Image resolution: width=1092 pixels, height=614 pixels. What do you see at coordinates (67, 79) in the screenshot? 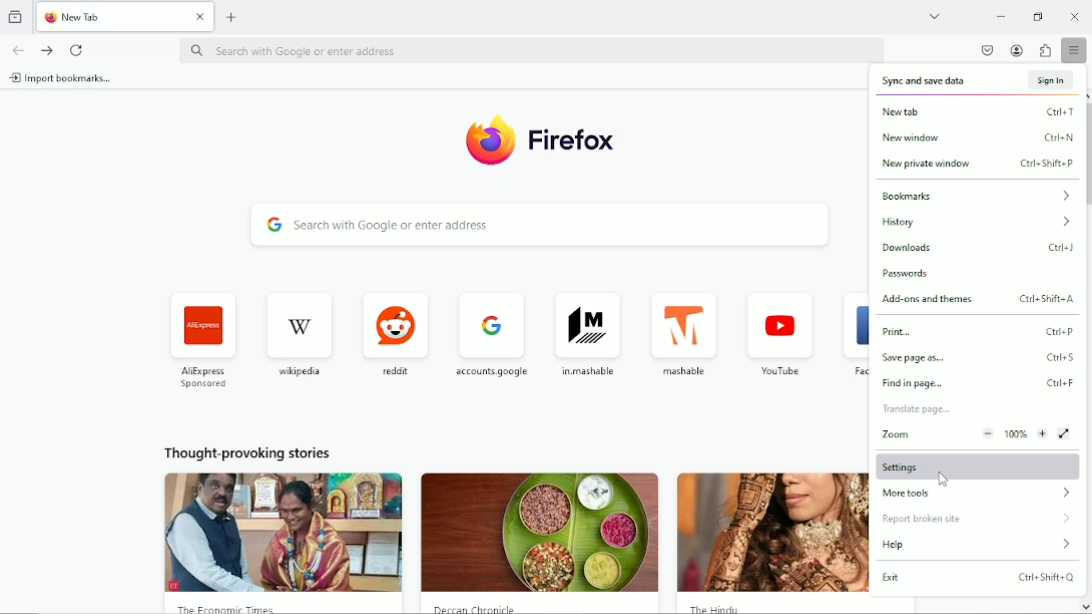
I see `import bookmarks` at bounding box center [67, 79].